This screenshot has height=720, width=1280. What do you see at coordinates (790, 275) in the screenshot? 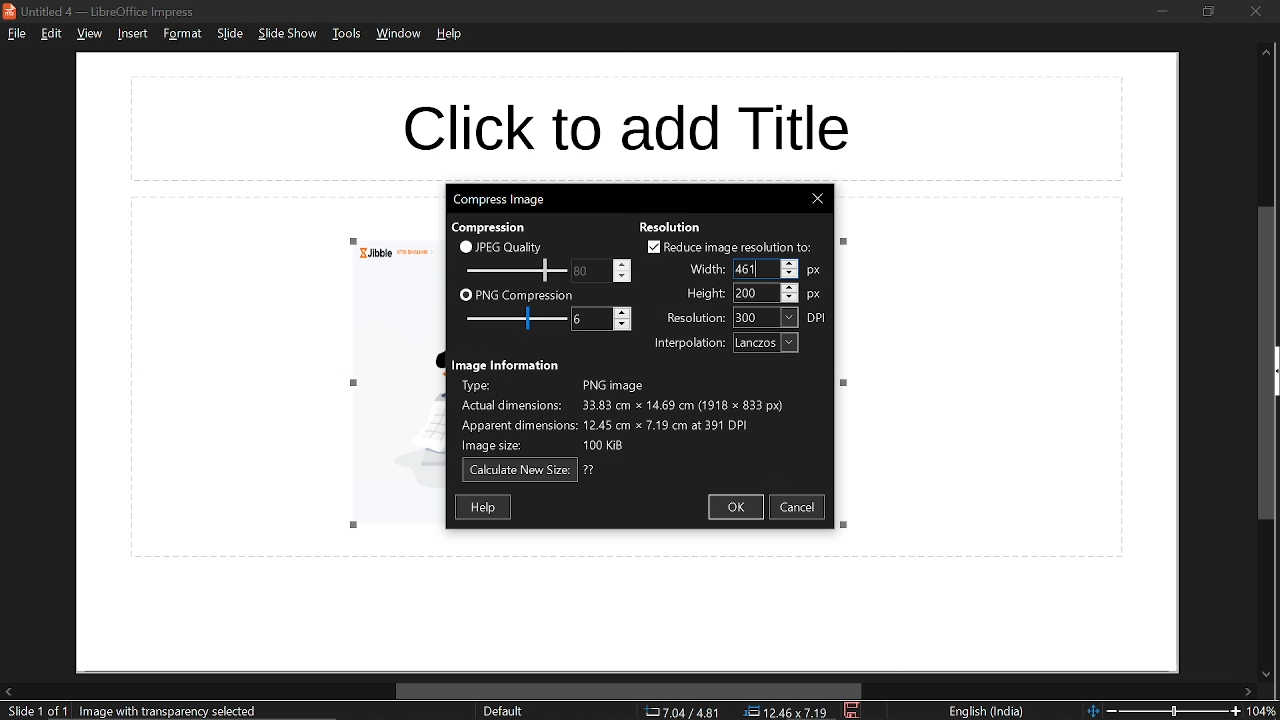
I see `Decrease ` at bounding box center [790, 275].